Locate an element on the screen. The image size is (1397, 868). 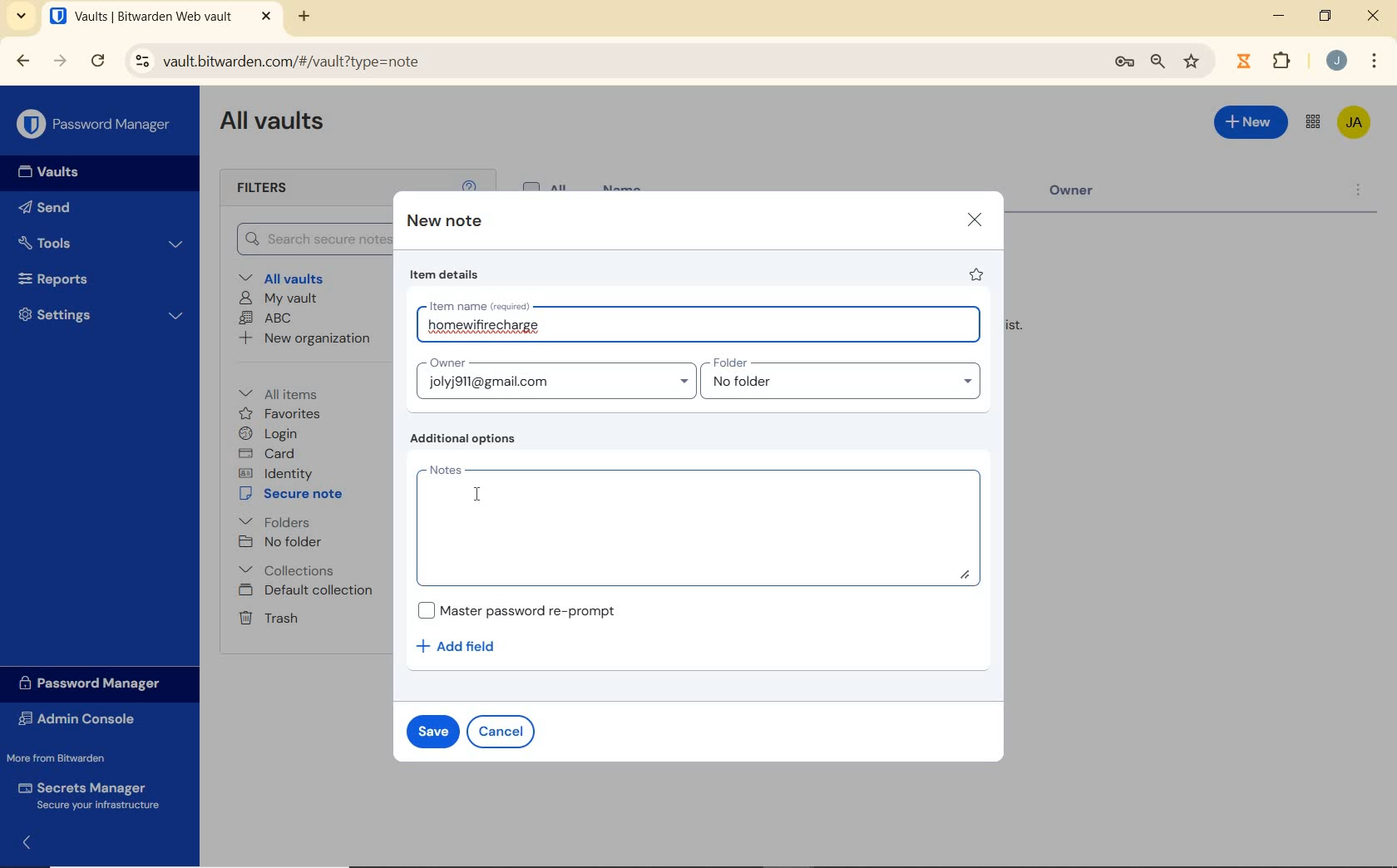
minimize is located at coordinates (1279, 15).